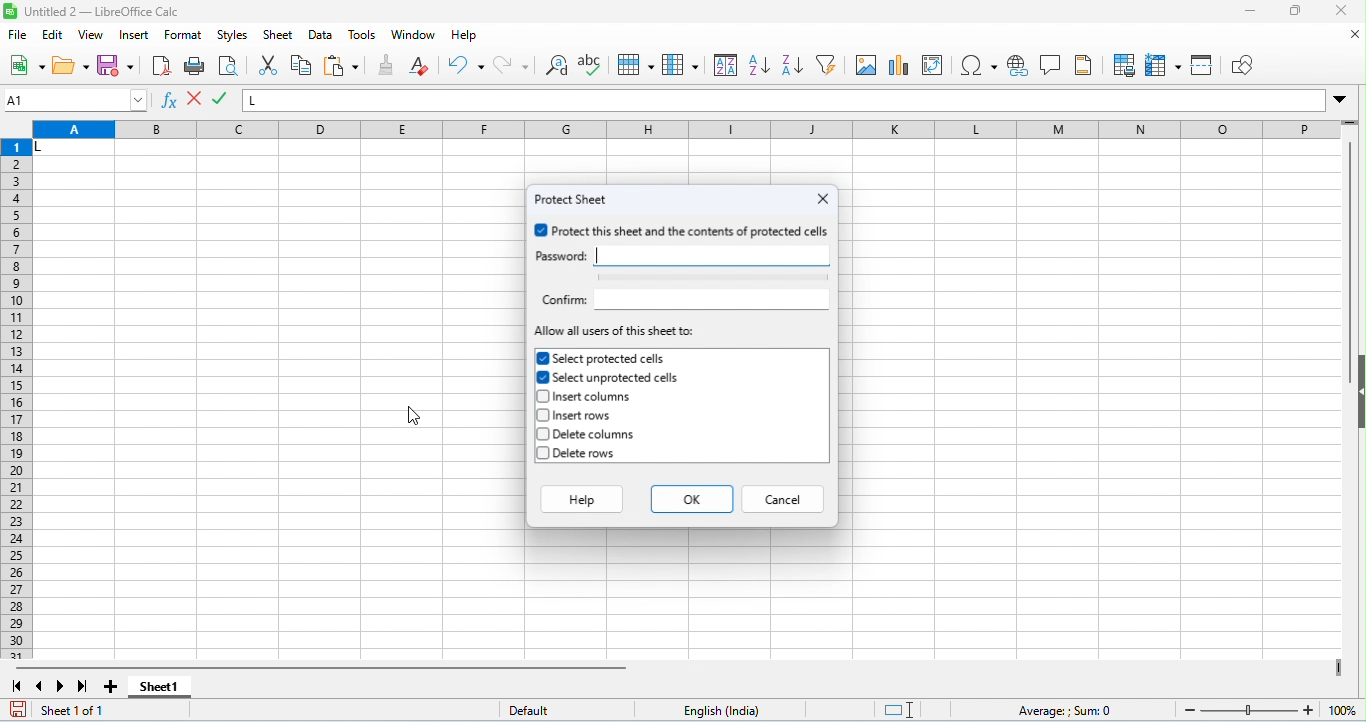 The image size is (1366, 722). What do you see at coordinates (1126, 65) in the screenshot?
I see `define print preview` at bounding box center [1126, 65].